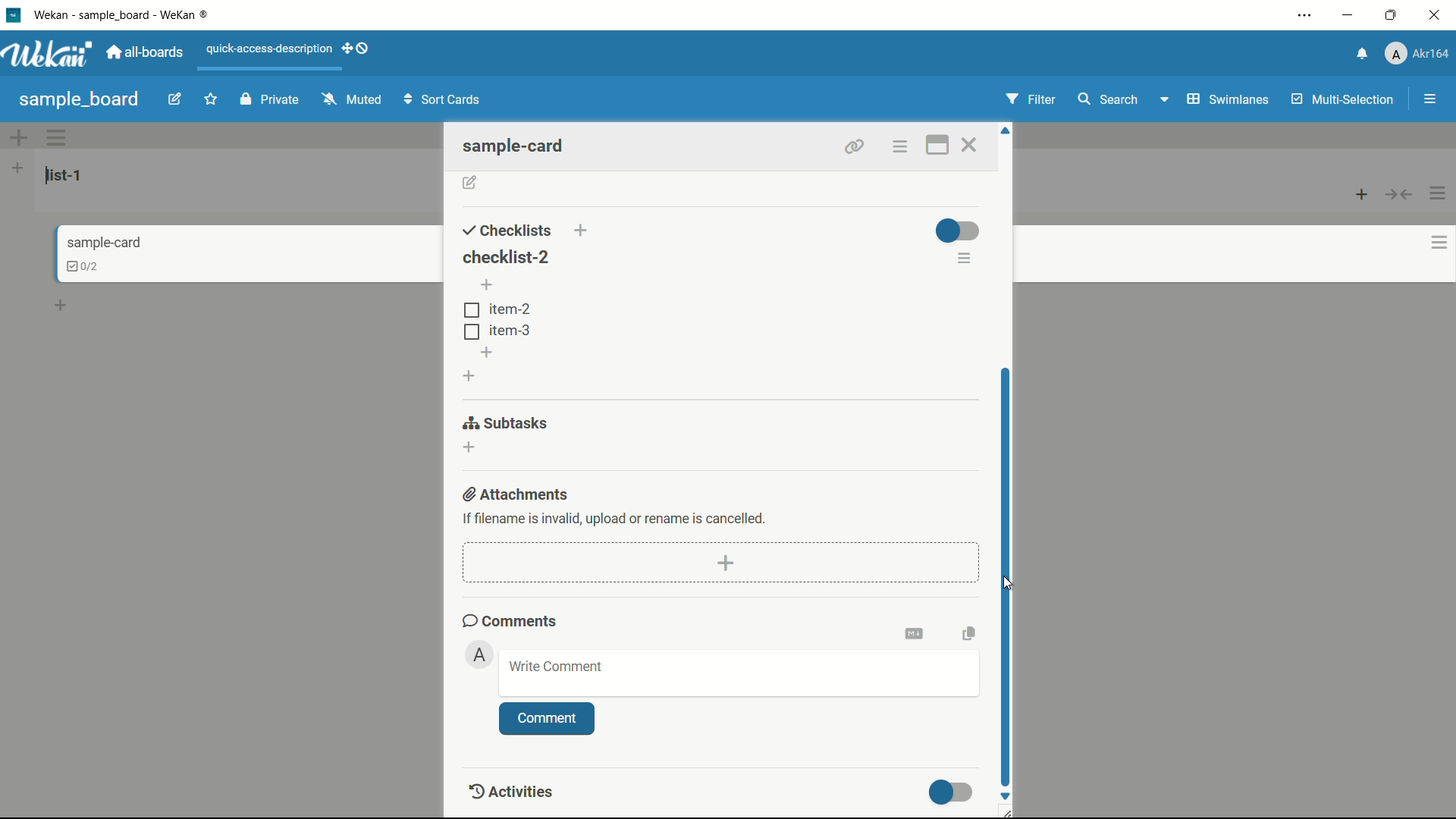 The width and height of the screenshot is (1456, 819). I want to click on muted, so click(350, 100).